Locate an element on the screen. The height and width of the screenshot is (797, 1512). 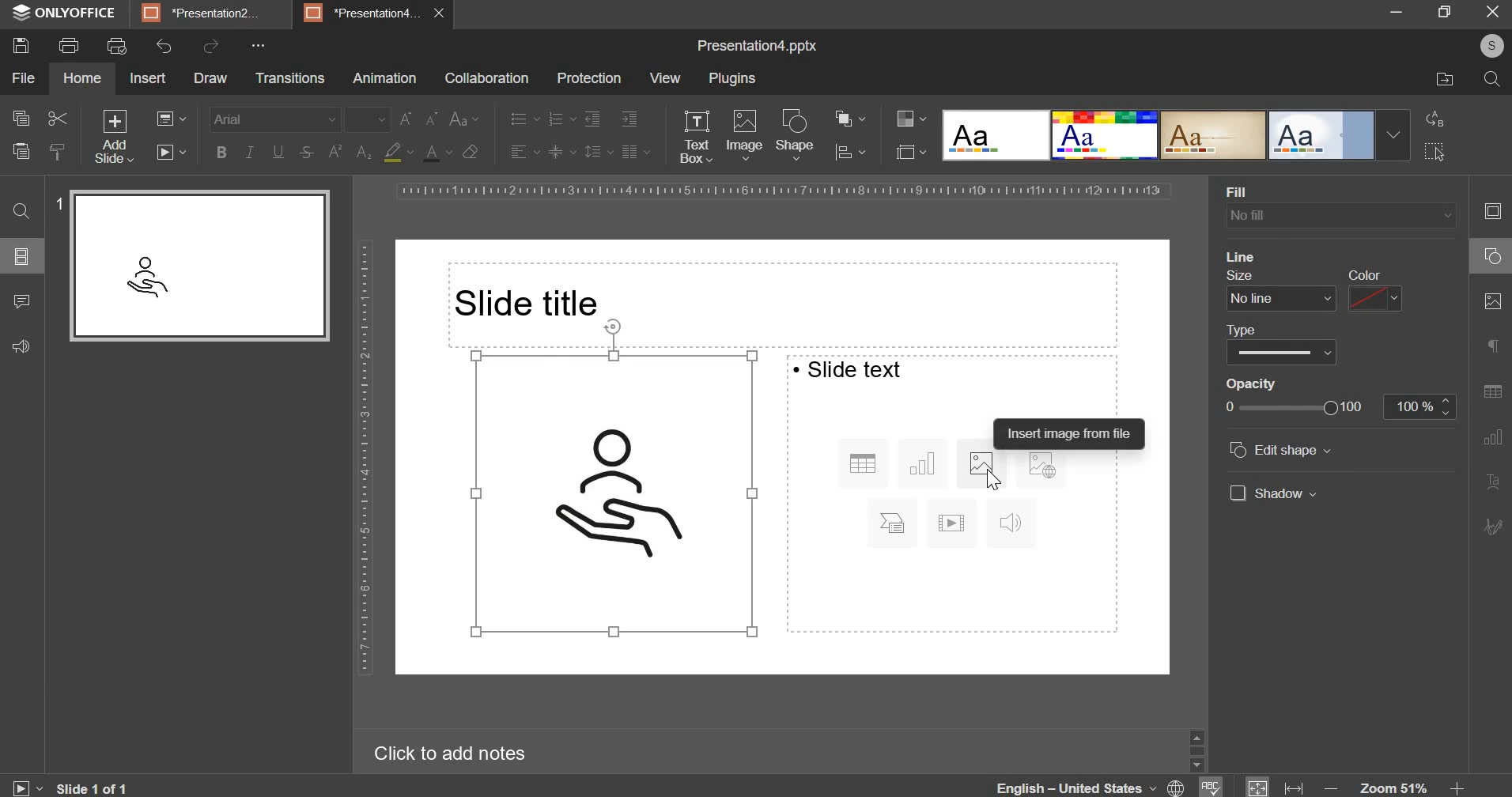
line is located at coordinates (1254, 256).